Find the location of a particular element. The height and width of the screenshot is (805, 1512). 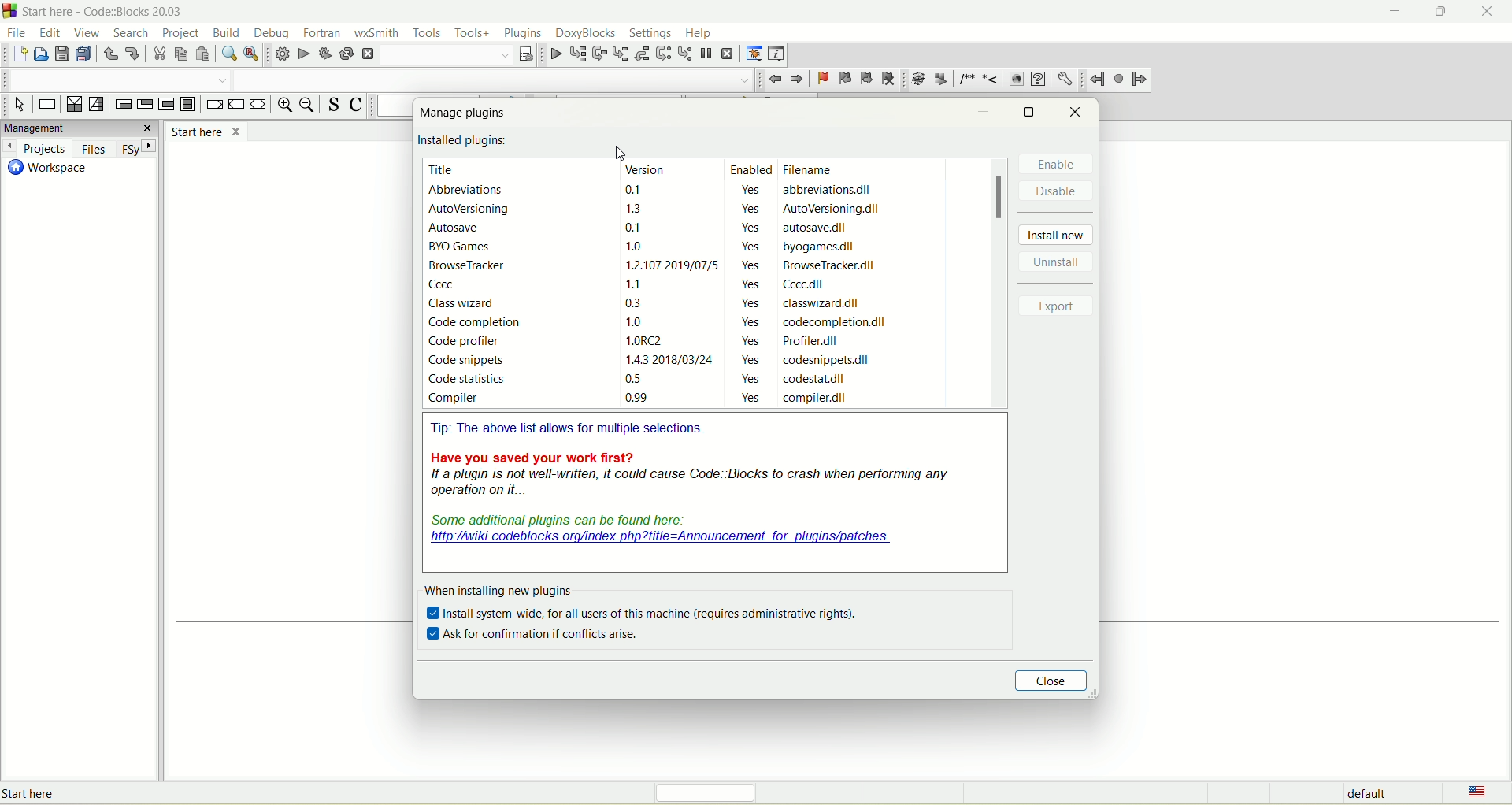

‘Some additional plugins can be found here:
http //wiki.codeblocks. org/index.php?title=Announcement for_plugins/patches is located at coordinates (658, 531).